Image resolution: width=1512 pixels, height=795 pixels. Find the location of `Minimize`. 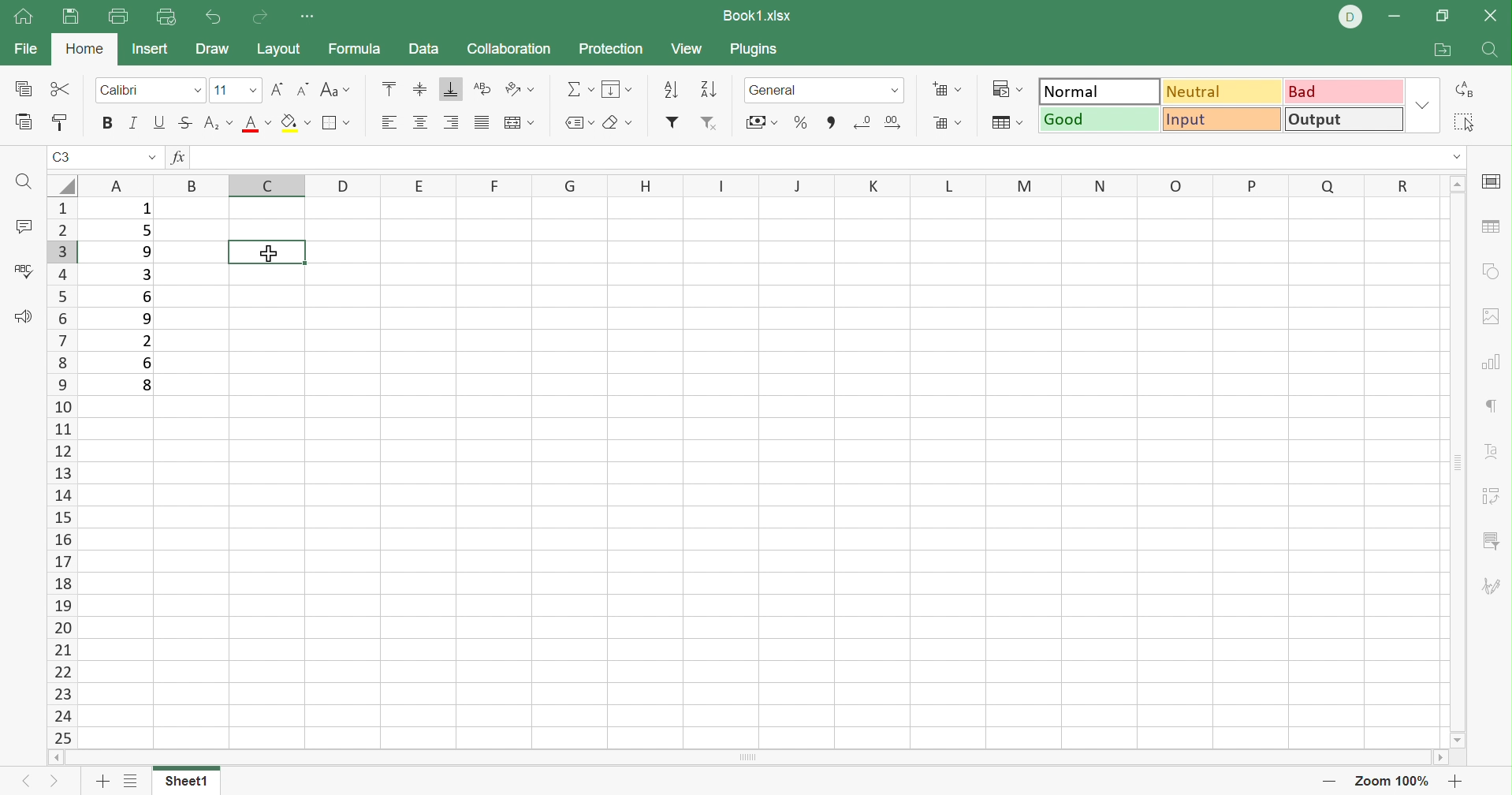

Minimize is located at coordinates (1397, 17).